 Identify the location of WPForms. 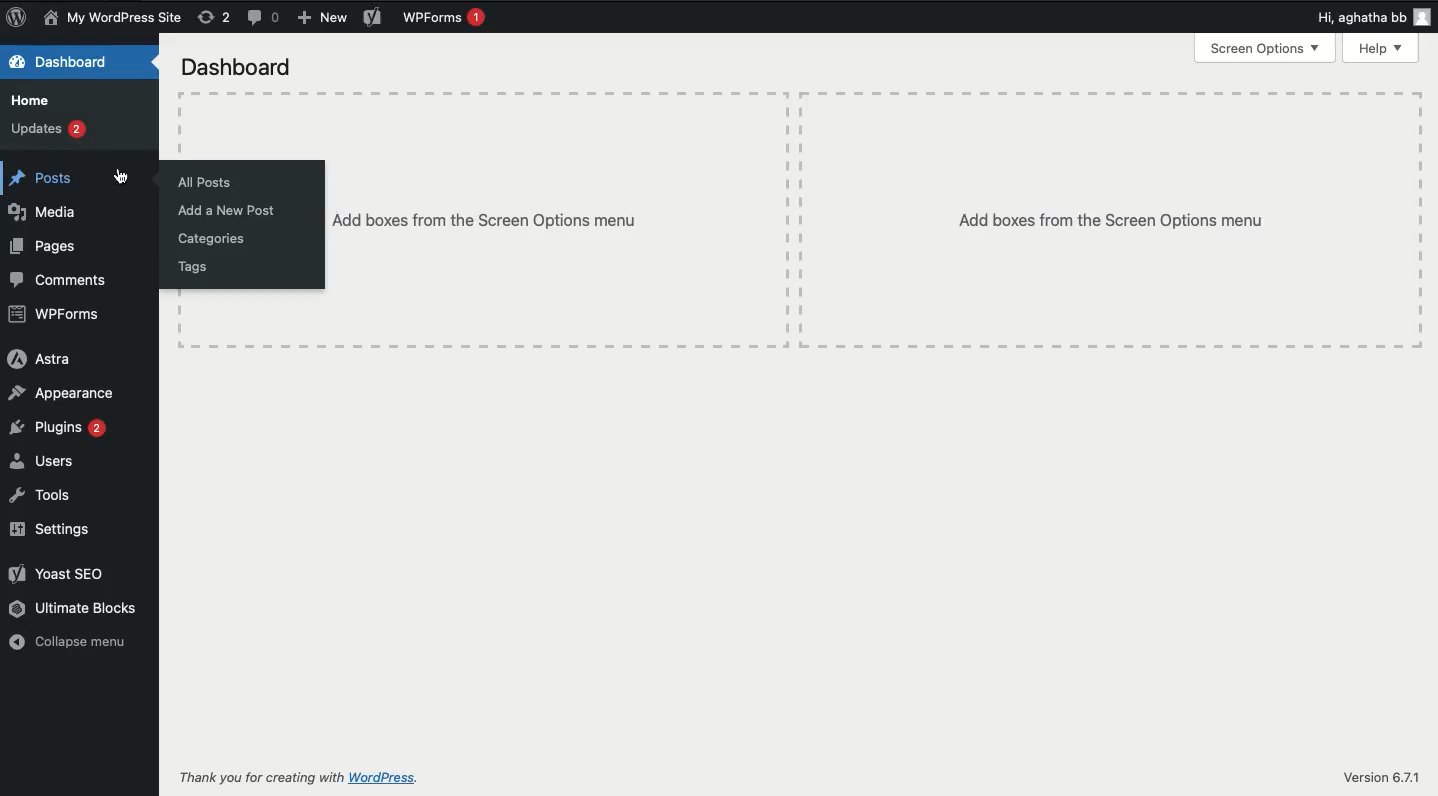
(445, 18).